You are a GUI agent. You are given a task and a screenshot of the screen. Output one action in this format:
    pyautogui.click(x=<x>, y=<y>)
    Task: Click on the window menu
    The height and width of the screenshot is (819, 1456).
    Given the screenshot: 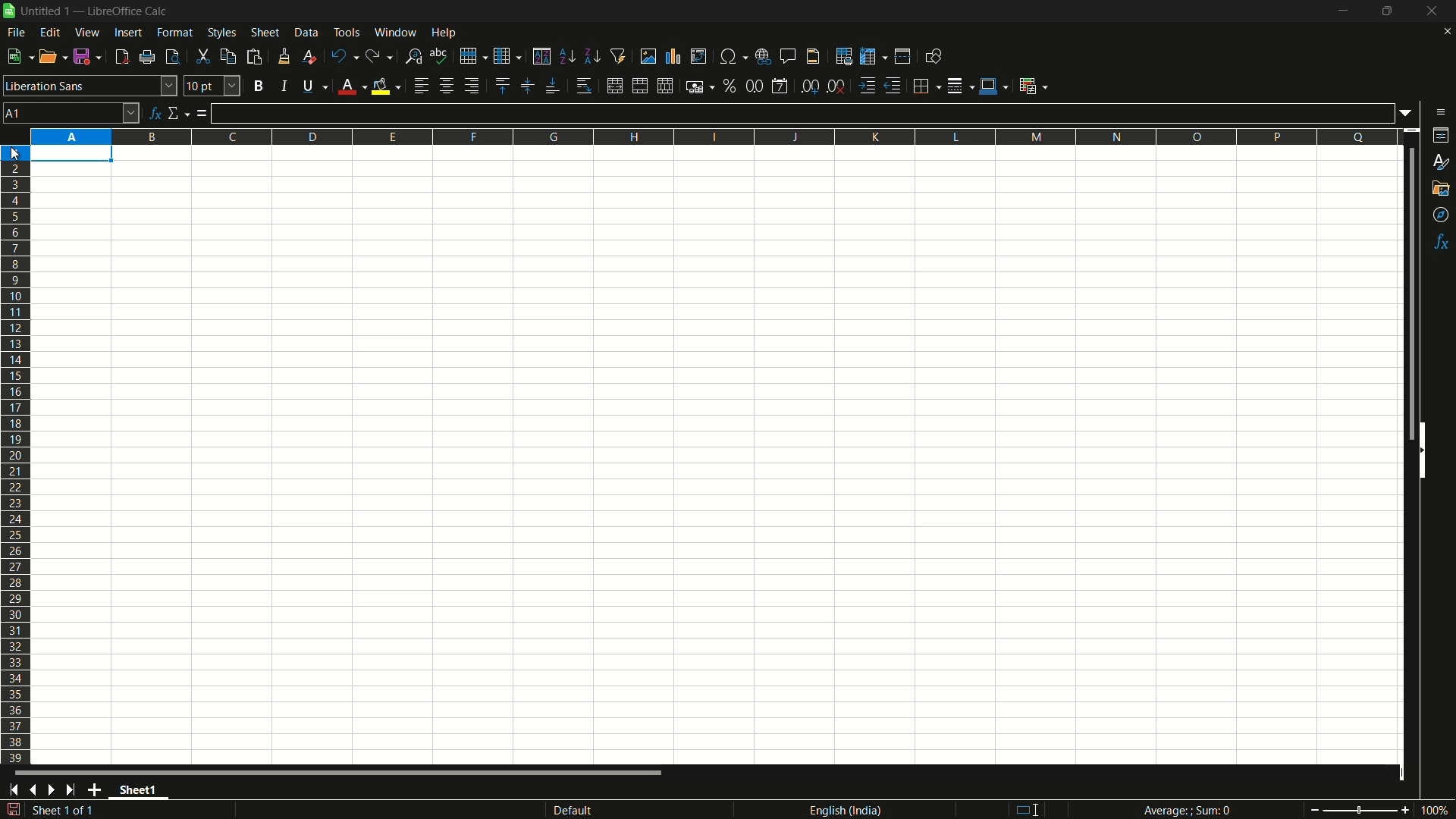 What is the action you would take?
    pyautogui.click(x=395, y=32)
    